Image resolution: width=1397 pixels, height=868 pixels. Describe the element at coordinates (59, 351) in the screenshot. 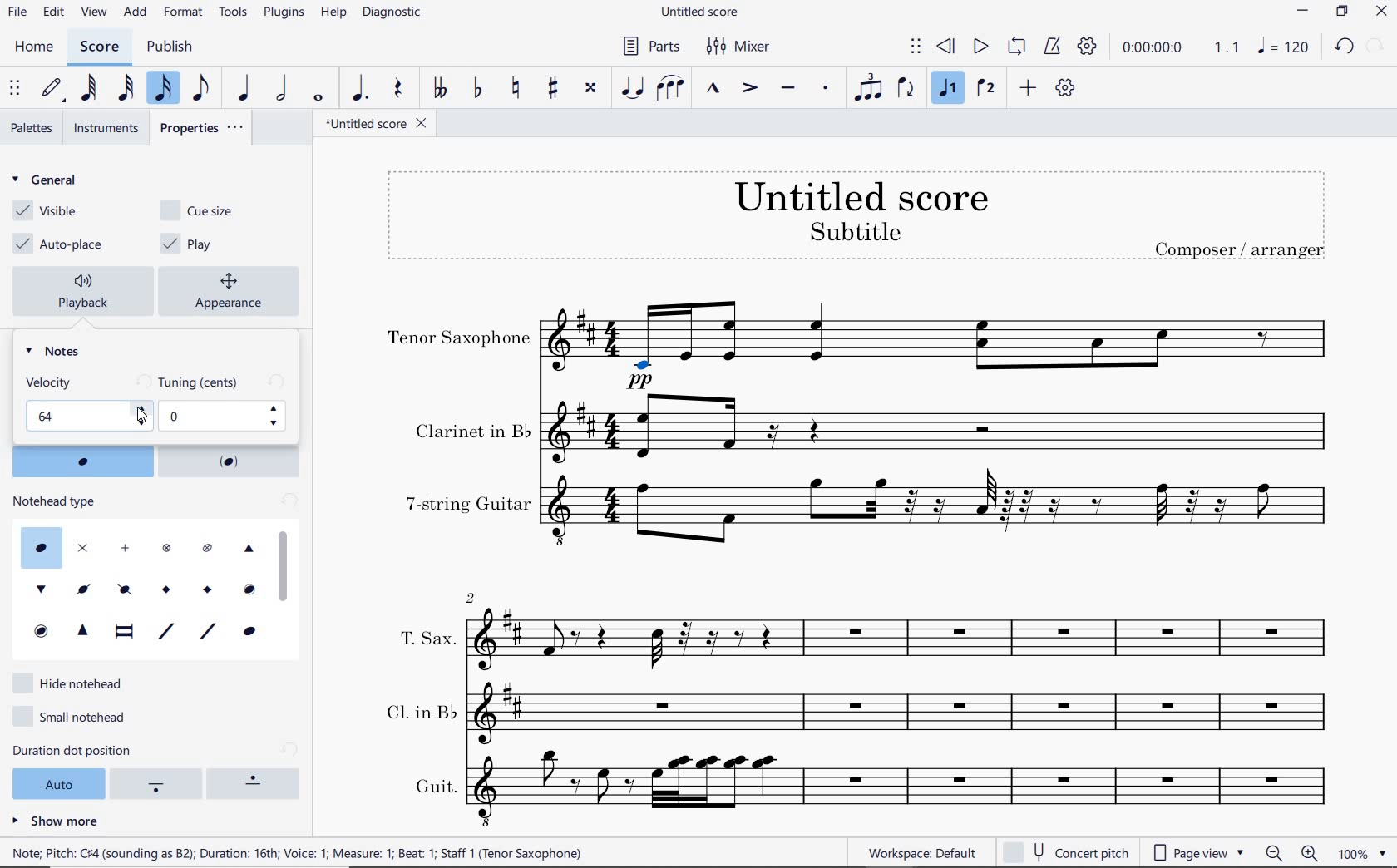

I see `notes` at that location.